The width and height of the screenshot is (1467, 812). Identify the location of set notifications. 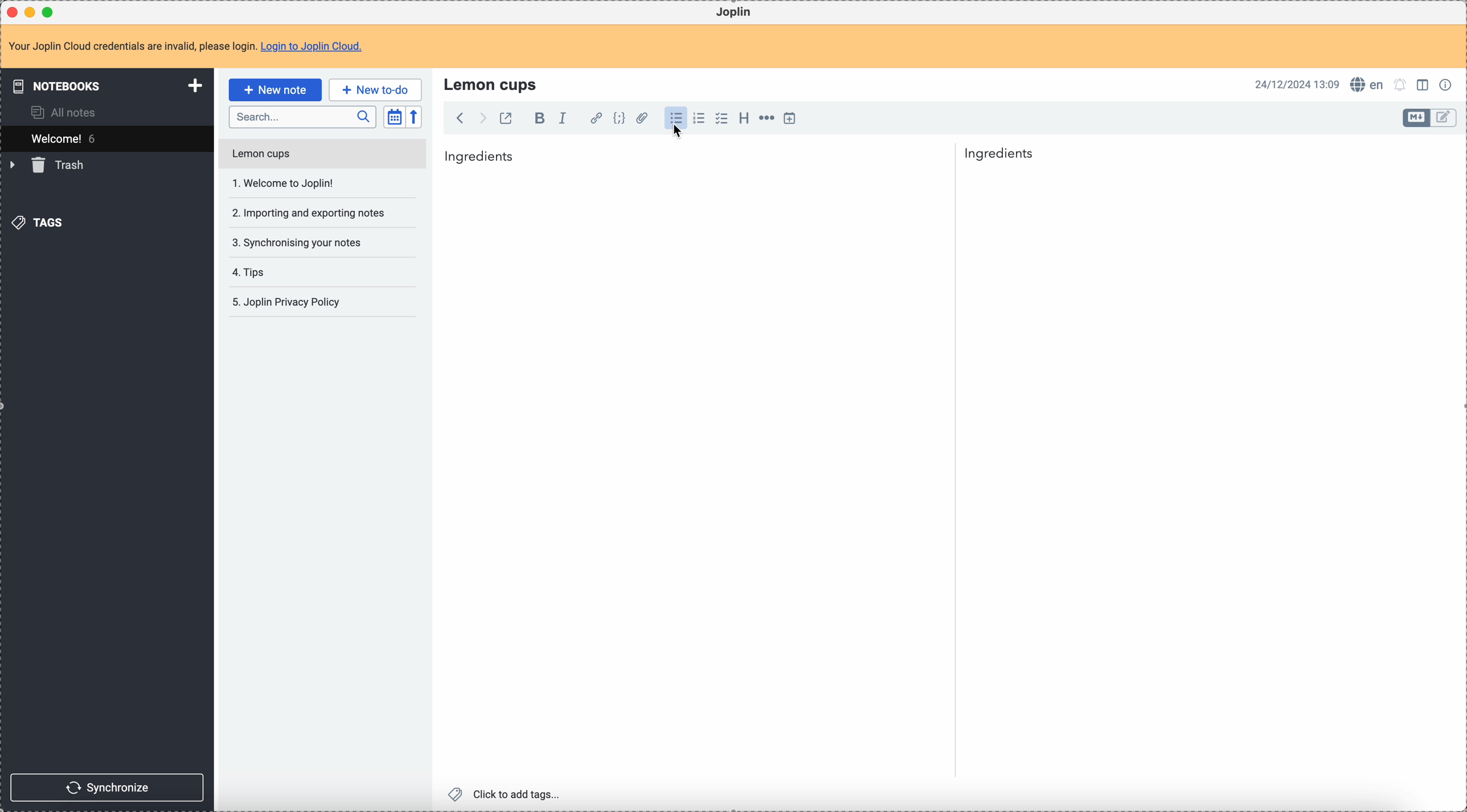
(1400, 84).